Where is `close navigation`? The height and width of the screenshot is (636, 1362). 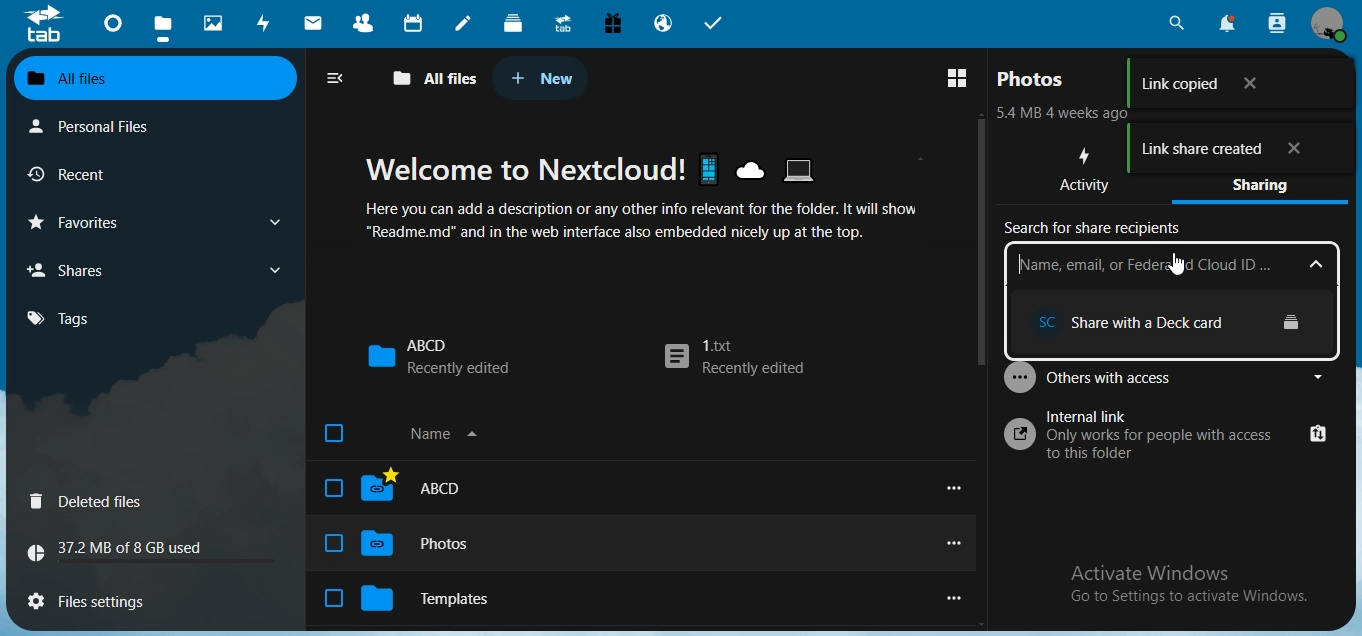
close navigation is located at coordinates (340, 78).